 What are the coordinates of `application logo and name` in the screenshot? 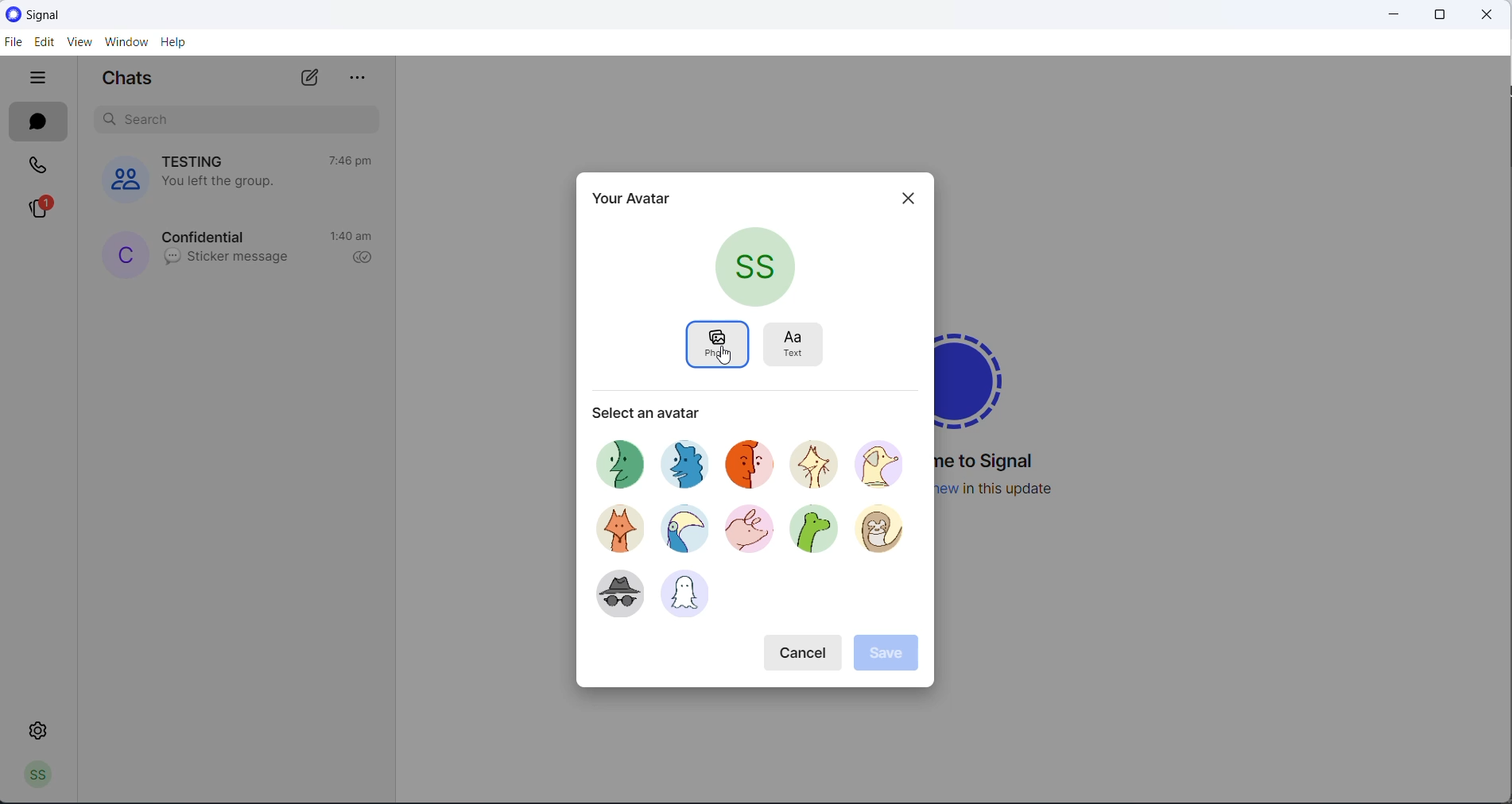 It's located at (78, 15).